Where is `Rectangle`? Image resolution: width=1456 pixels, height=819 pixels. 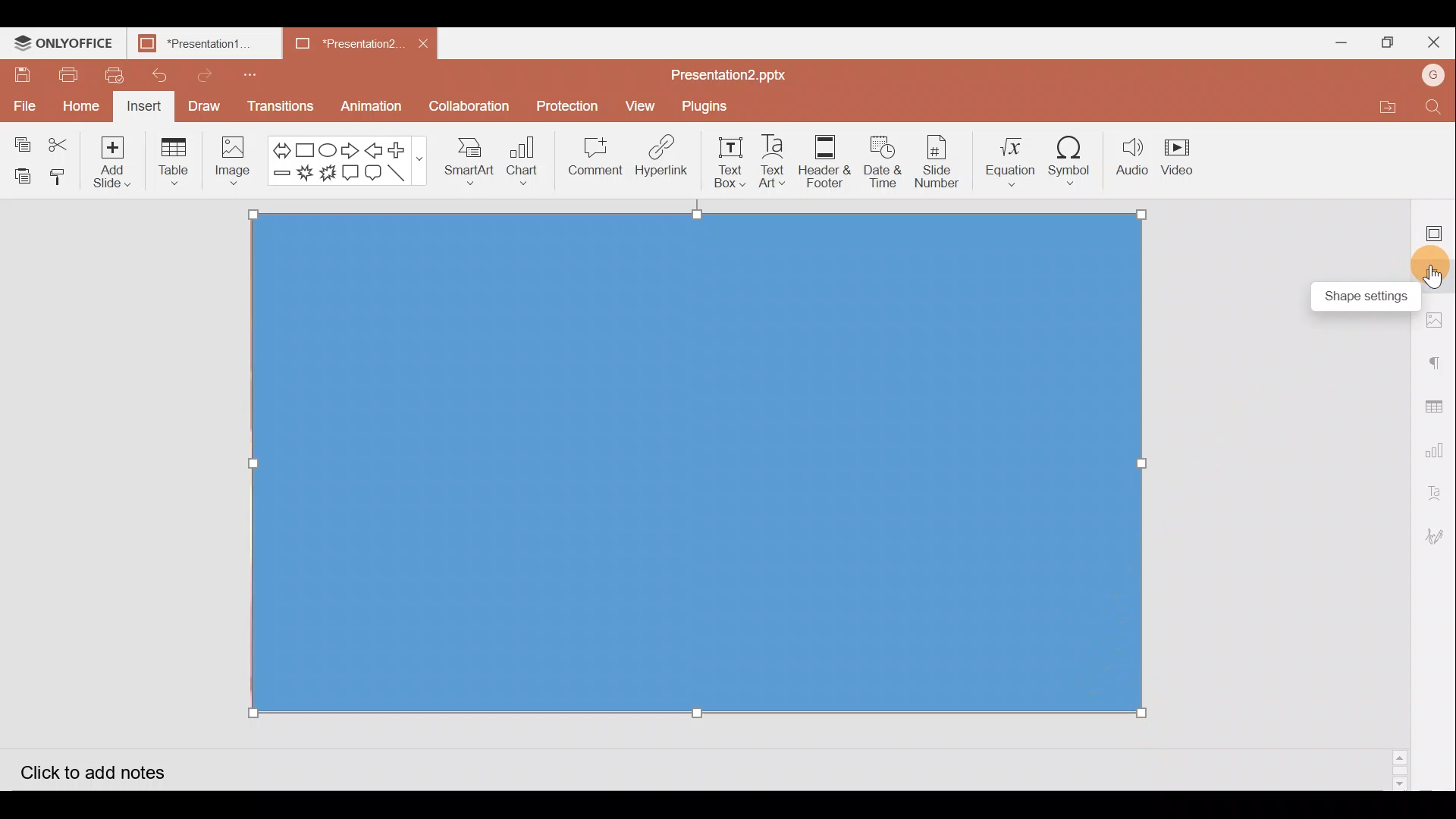
Rectangle is located at coordinates (309, 146).